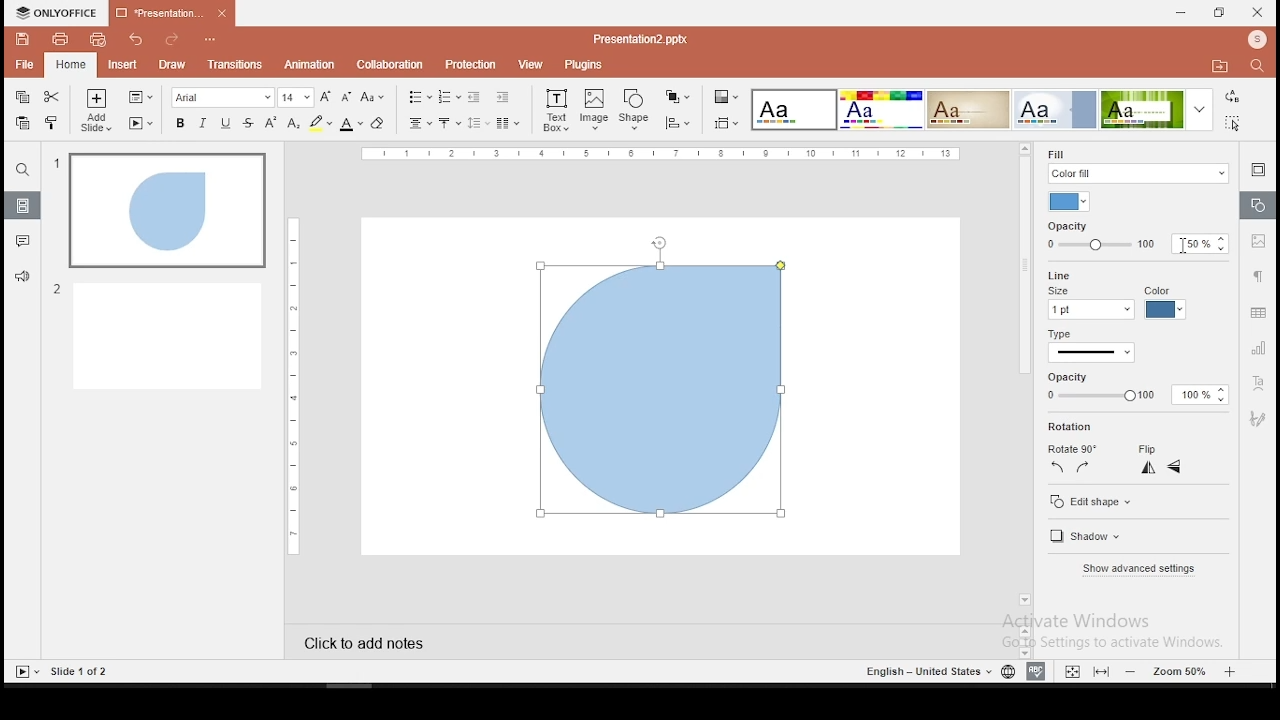 This screenshot has height=720, width=1280. I want to click on fill, so click(1137, 164).